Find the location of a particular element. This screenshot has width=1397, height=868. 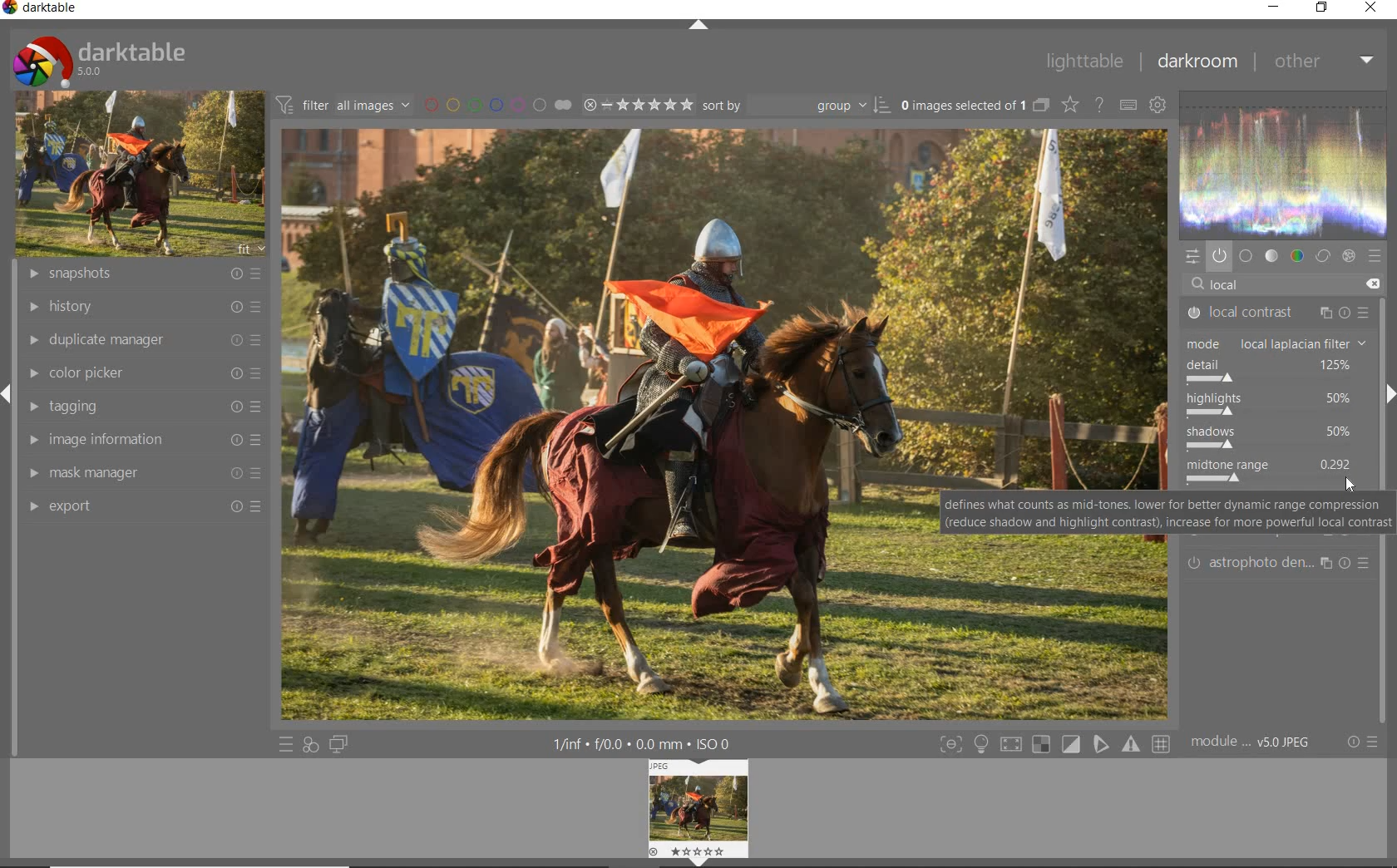

color is located at coordinates (1298, 254).